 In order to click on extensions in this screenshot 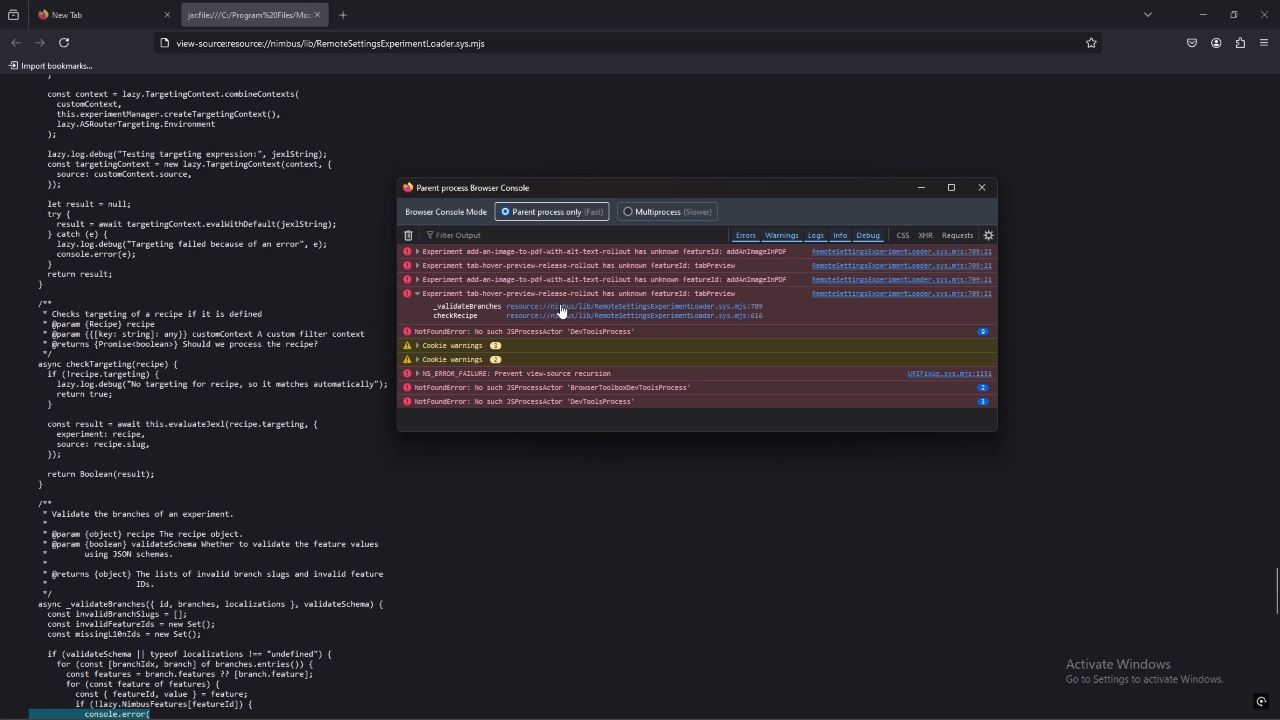, I will do `click(1240, 44)`.